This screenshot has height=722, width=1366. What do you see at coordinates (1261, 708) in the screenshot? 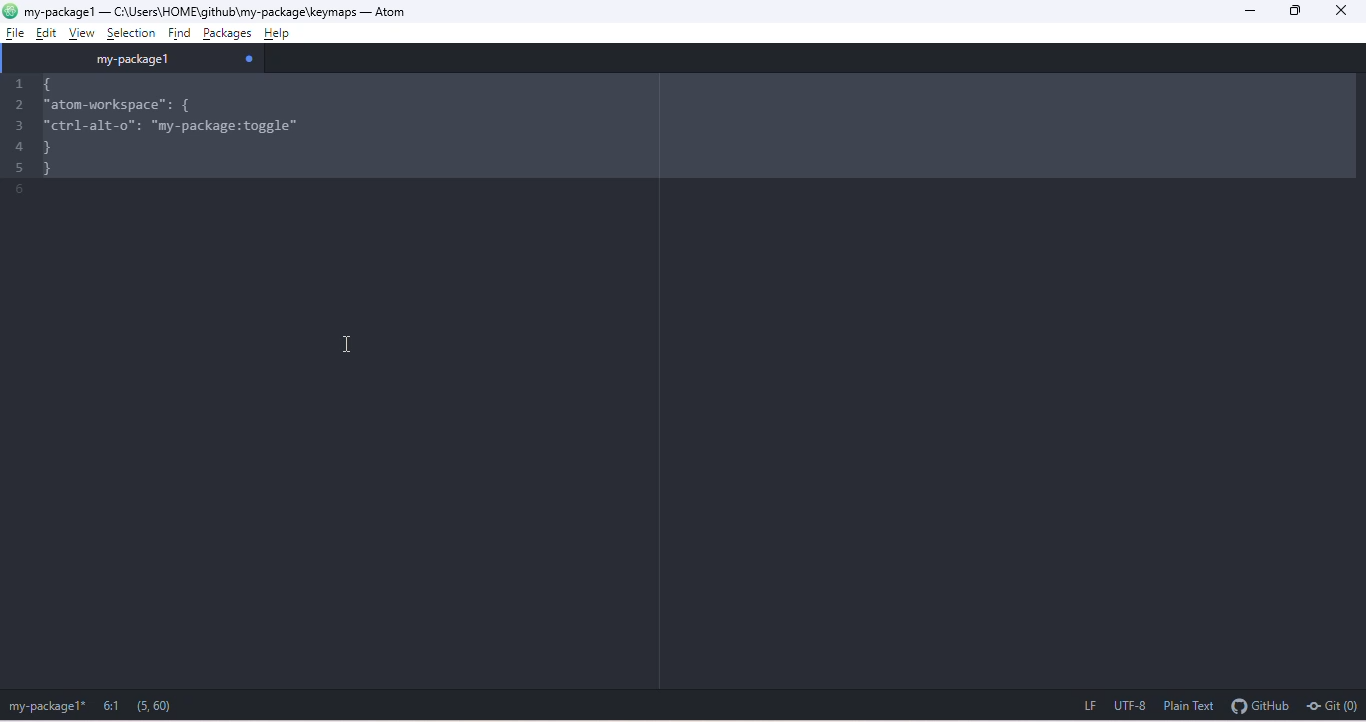
I see `git hub` at bounding box center [1261, 708].